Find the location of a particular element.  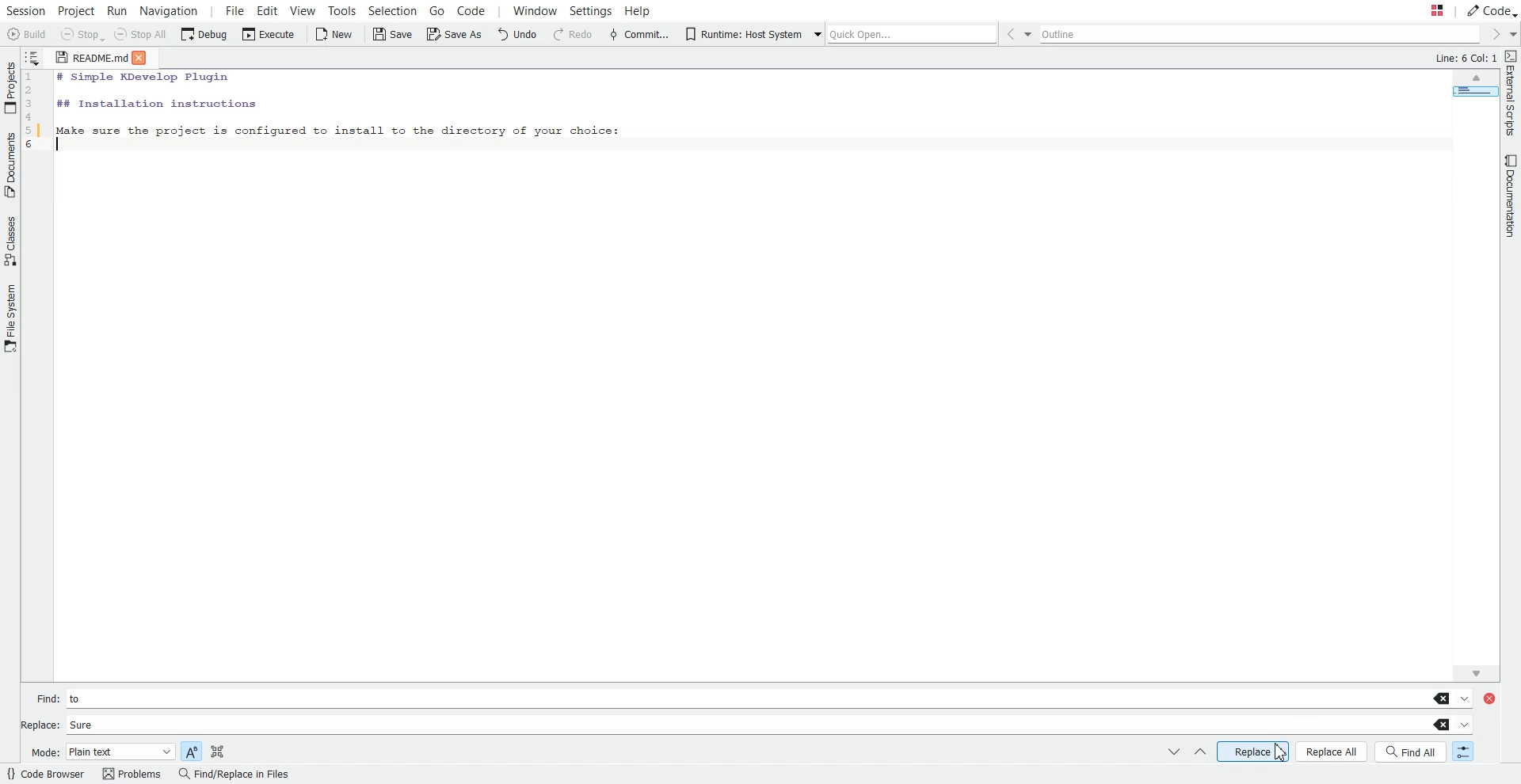

Stash is located at coordinates (1421, 11).